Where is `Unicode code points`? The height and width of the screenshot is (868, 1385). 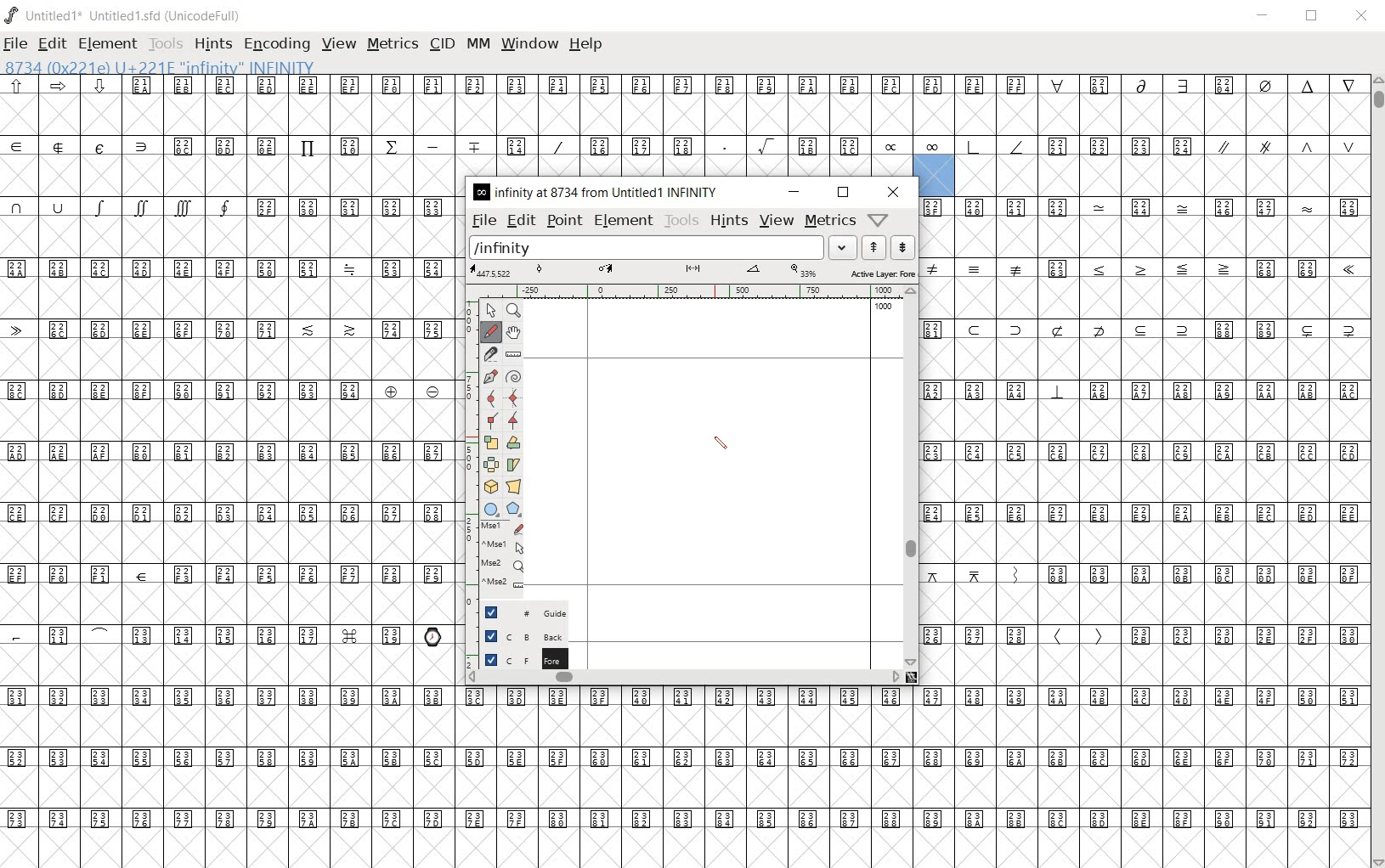 Unicode code points is located at coordinates (1145, 452).